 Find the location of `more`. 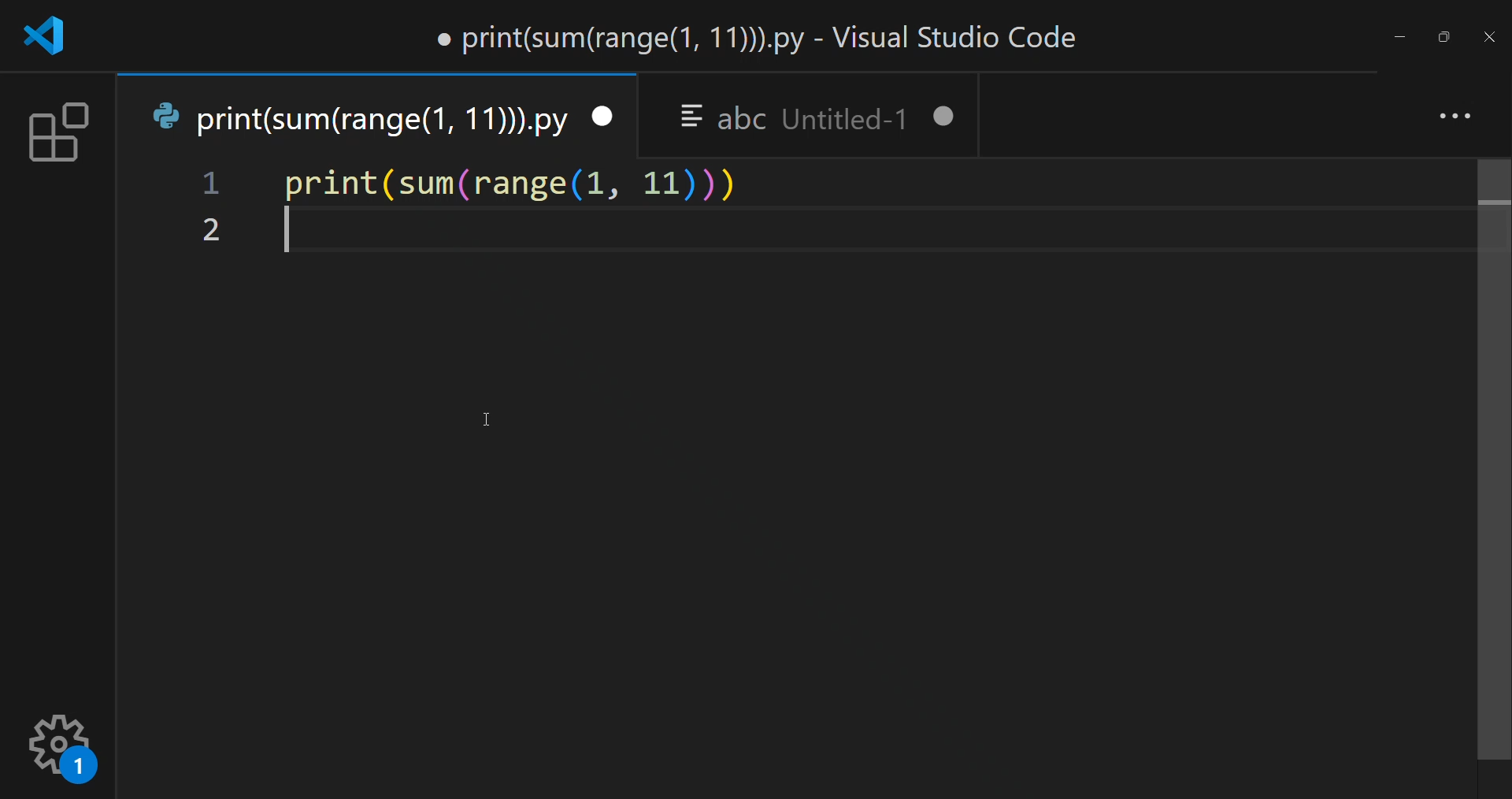

more is located at coordinates (1451, 119).